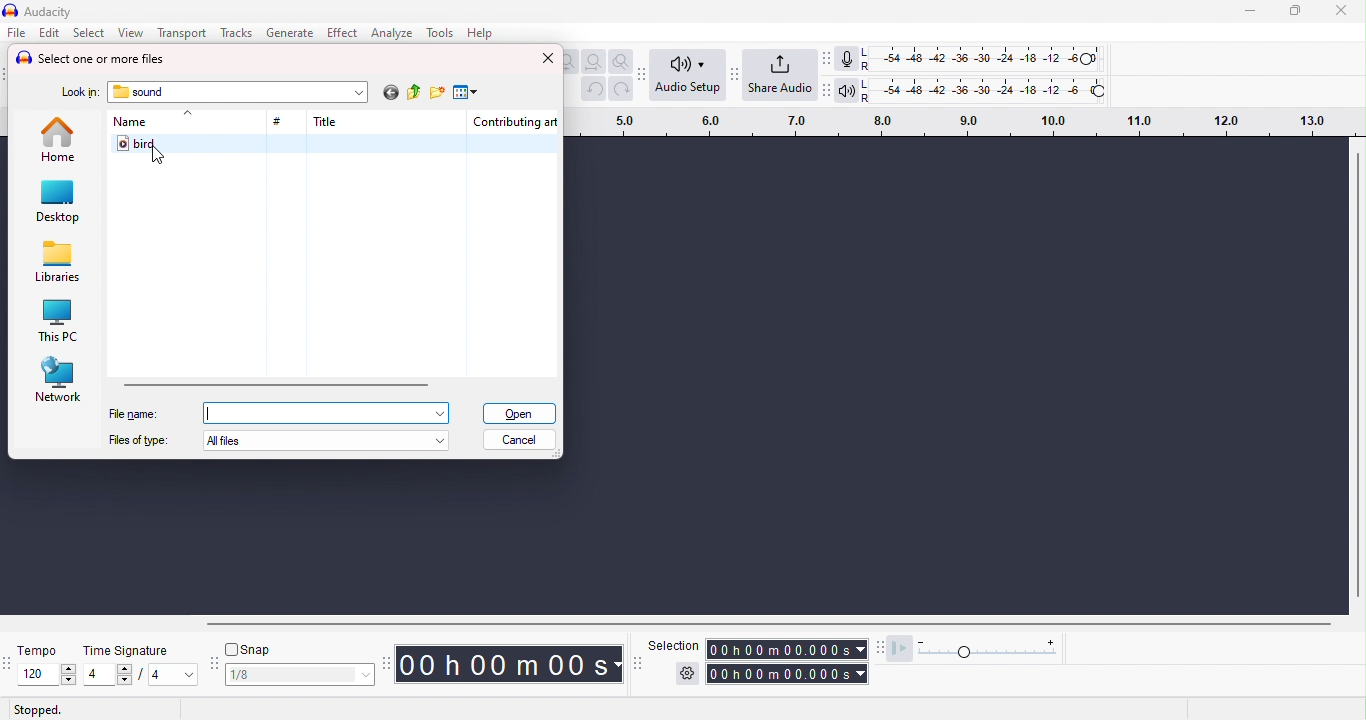  I want to click on last folder, so click(389, 94).